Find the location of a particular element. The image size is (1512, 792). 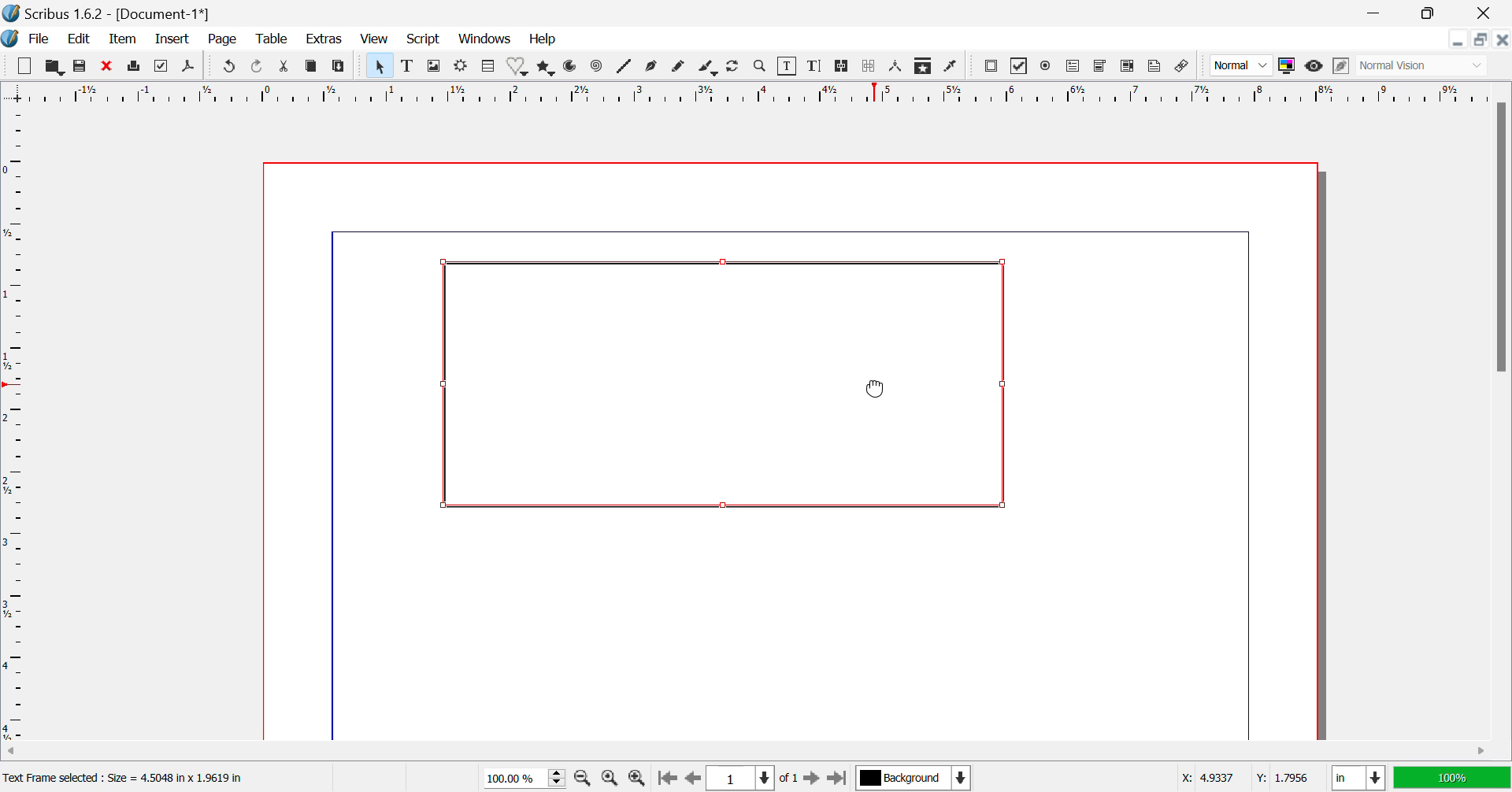

Normal Vision is located at coordinates (1425, 67).